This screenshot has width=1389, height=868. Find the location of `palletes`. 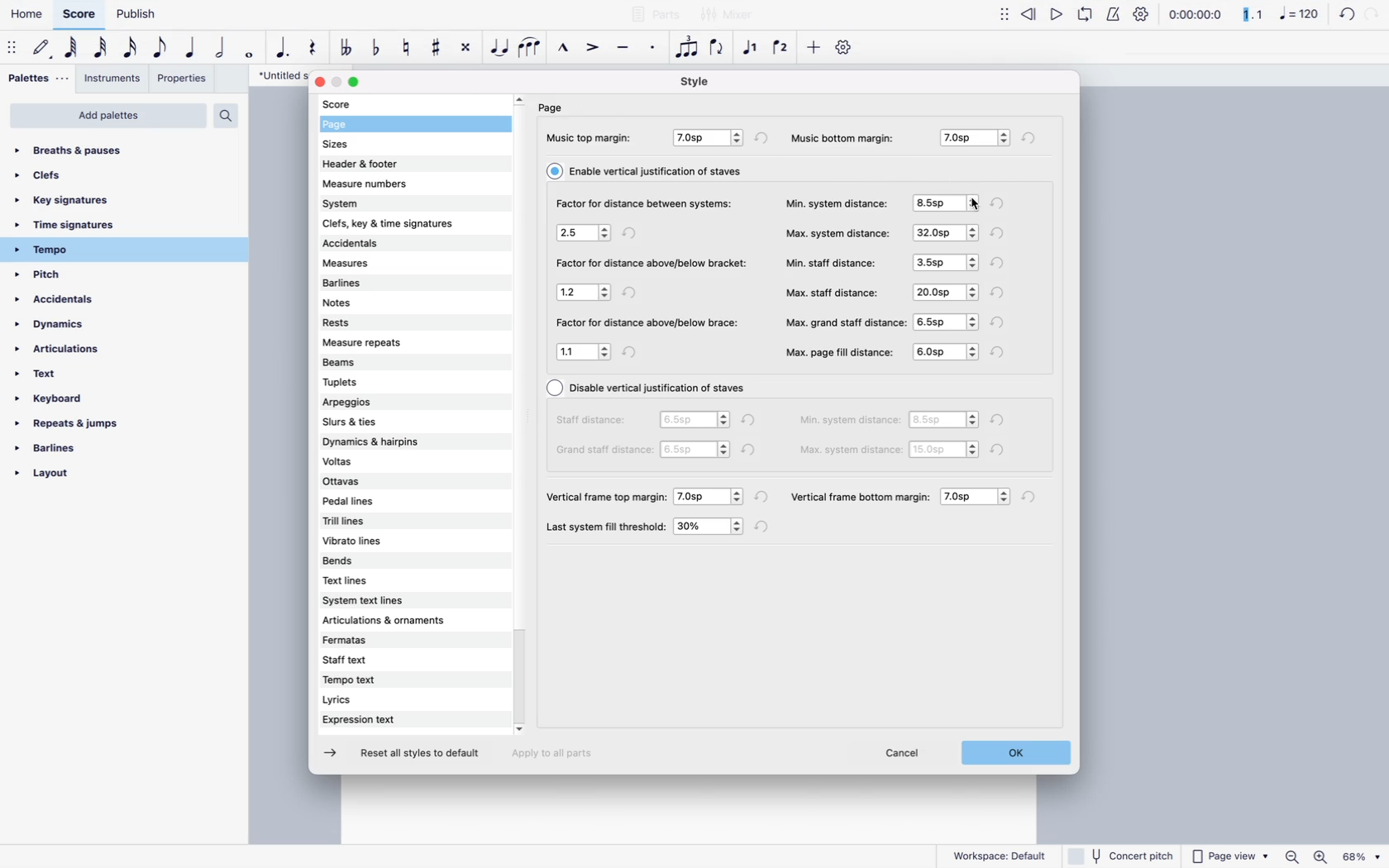

palletes is located at coordinates (36, 79).